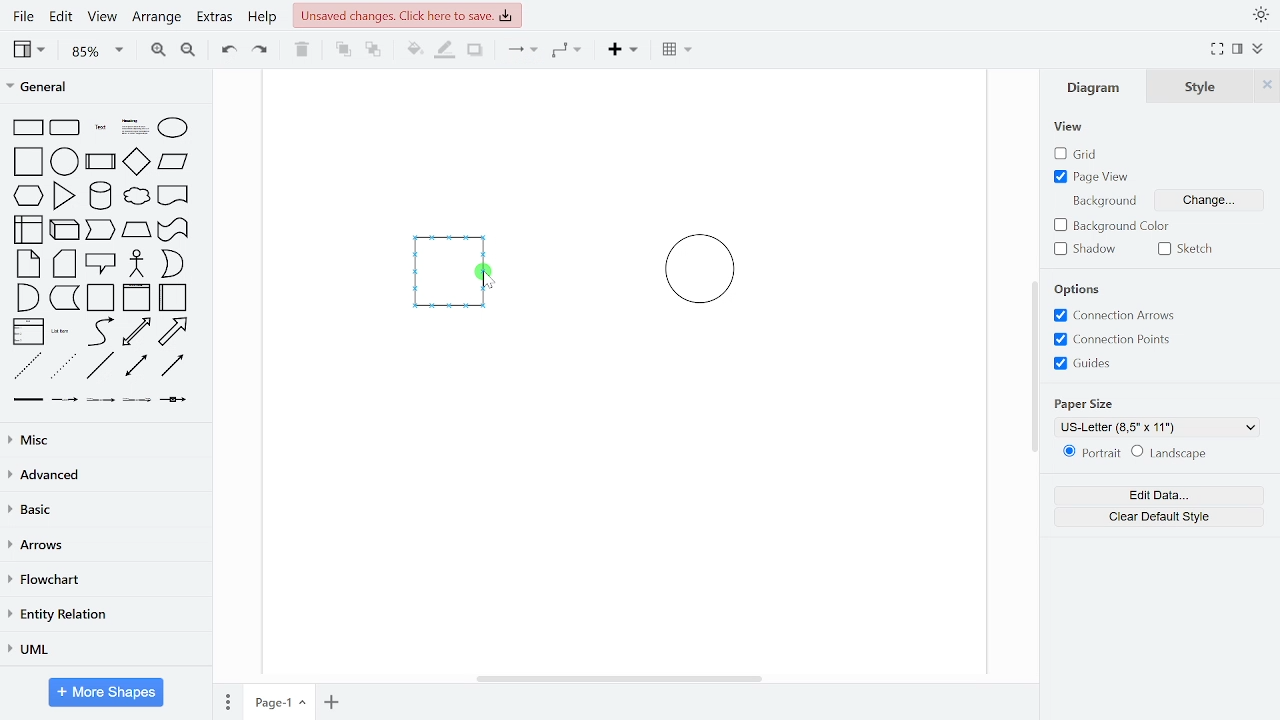  I want to click on zoom, so click(98, 50).